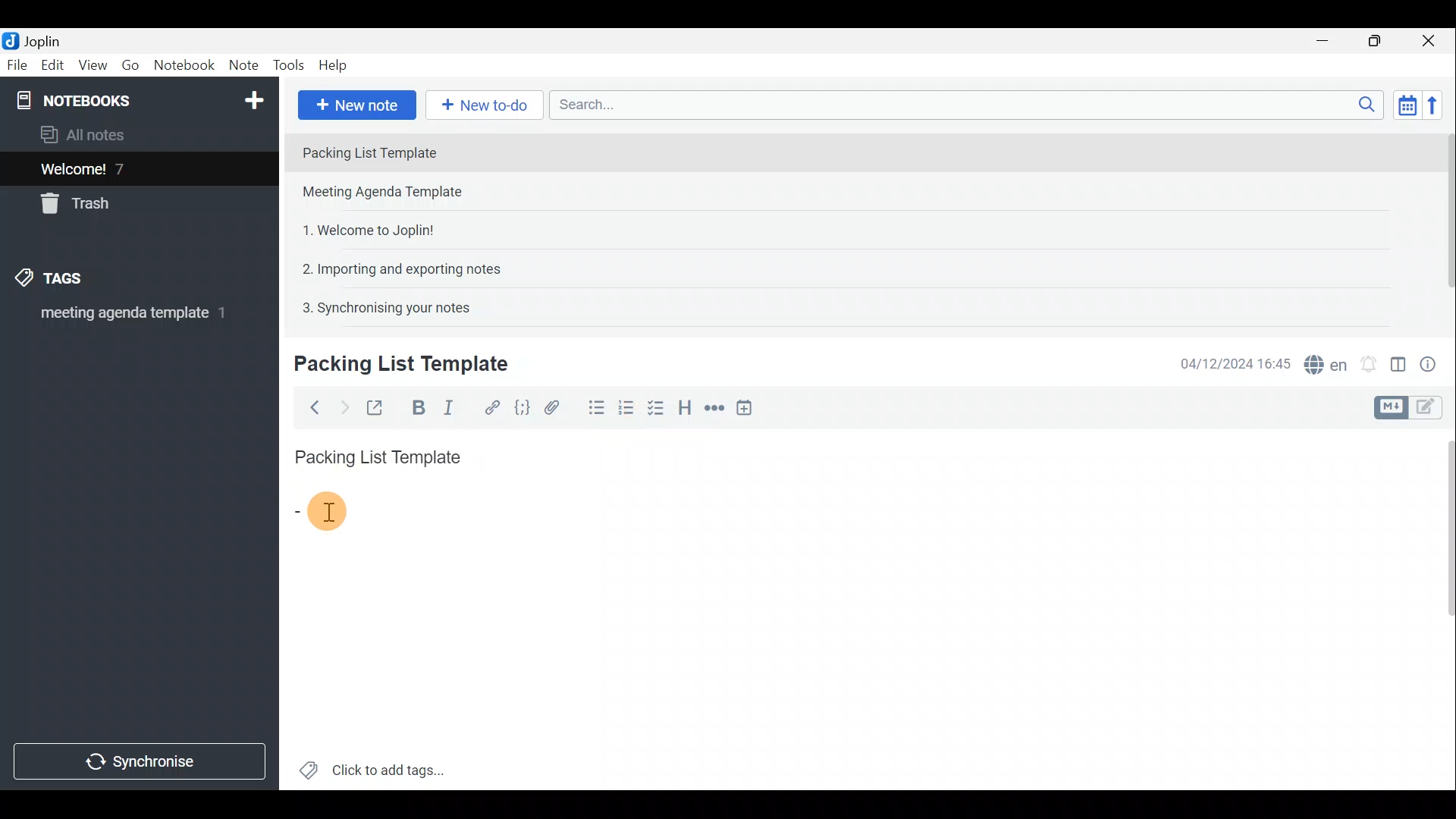 The height and width of the screenshot is (819, 1456). Describe the element at coordinates (1398, 359) in the screenshot. I see `Toggle editor layout` at that location.